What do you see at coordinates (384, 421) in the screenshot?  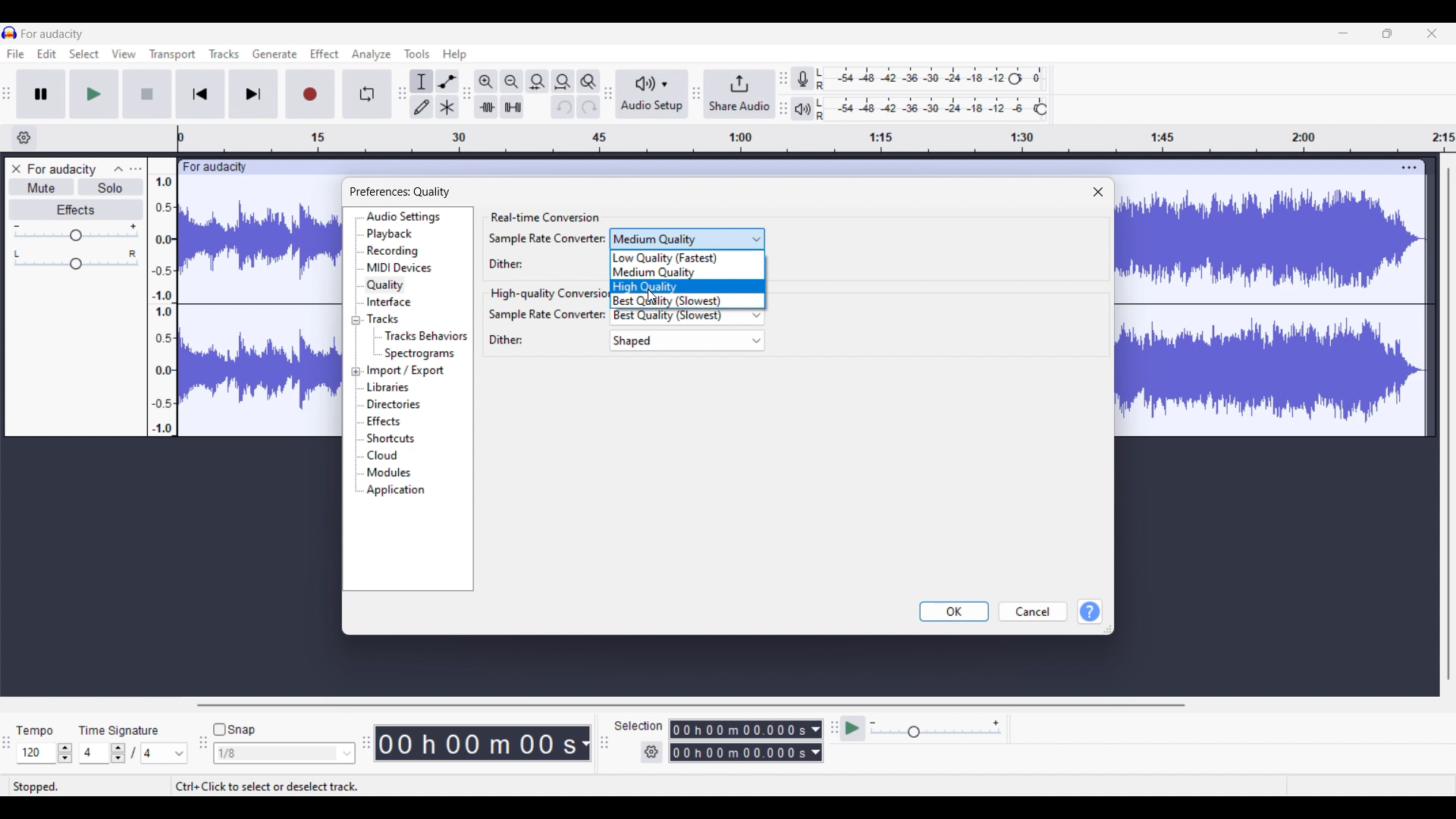 I see `Effects` at bounding box center [384, 421].